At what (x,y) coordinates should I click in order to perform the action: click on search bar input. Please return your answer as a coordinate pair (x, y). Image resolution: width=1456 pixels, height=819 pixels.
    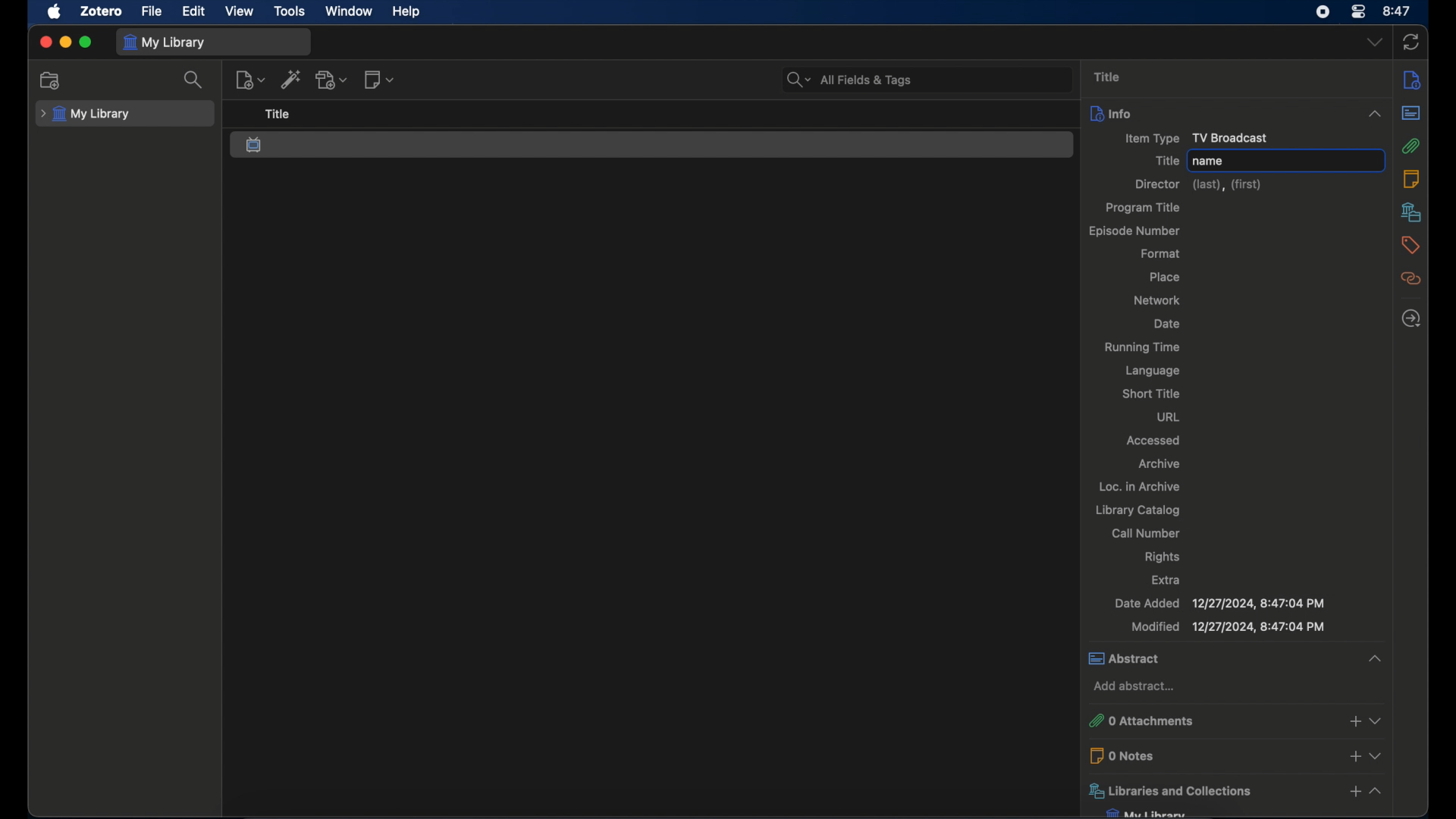
    Looking at the image, I should click on (946, 81).